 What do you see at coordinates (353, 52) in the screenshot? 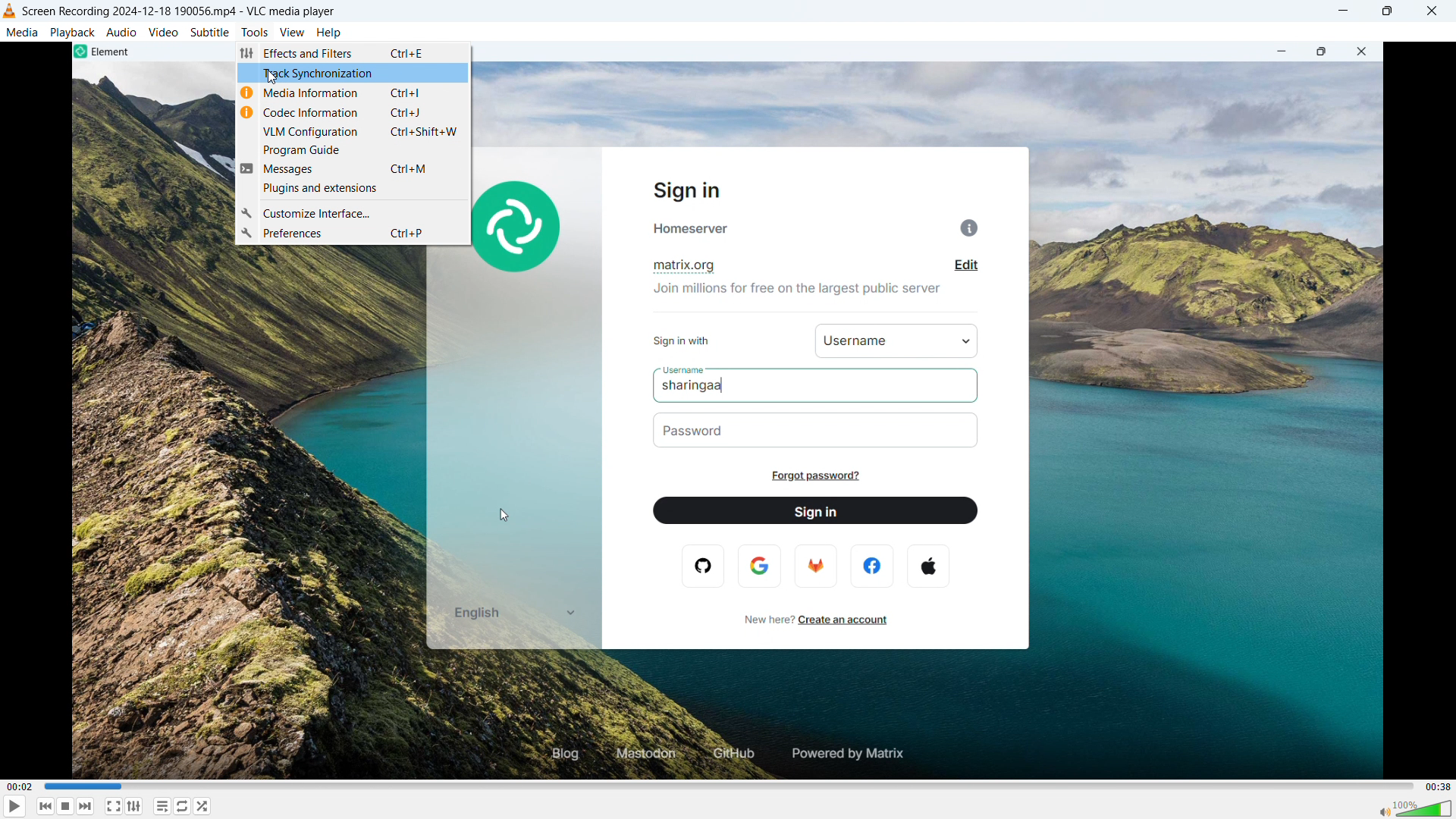
I see `effects & filters` at bounding box center [353, 52].